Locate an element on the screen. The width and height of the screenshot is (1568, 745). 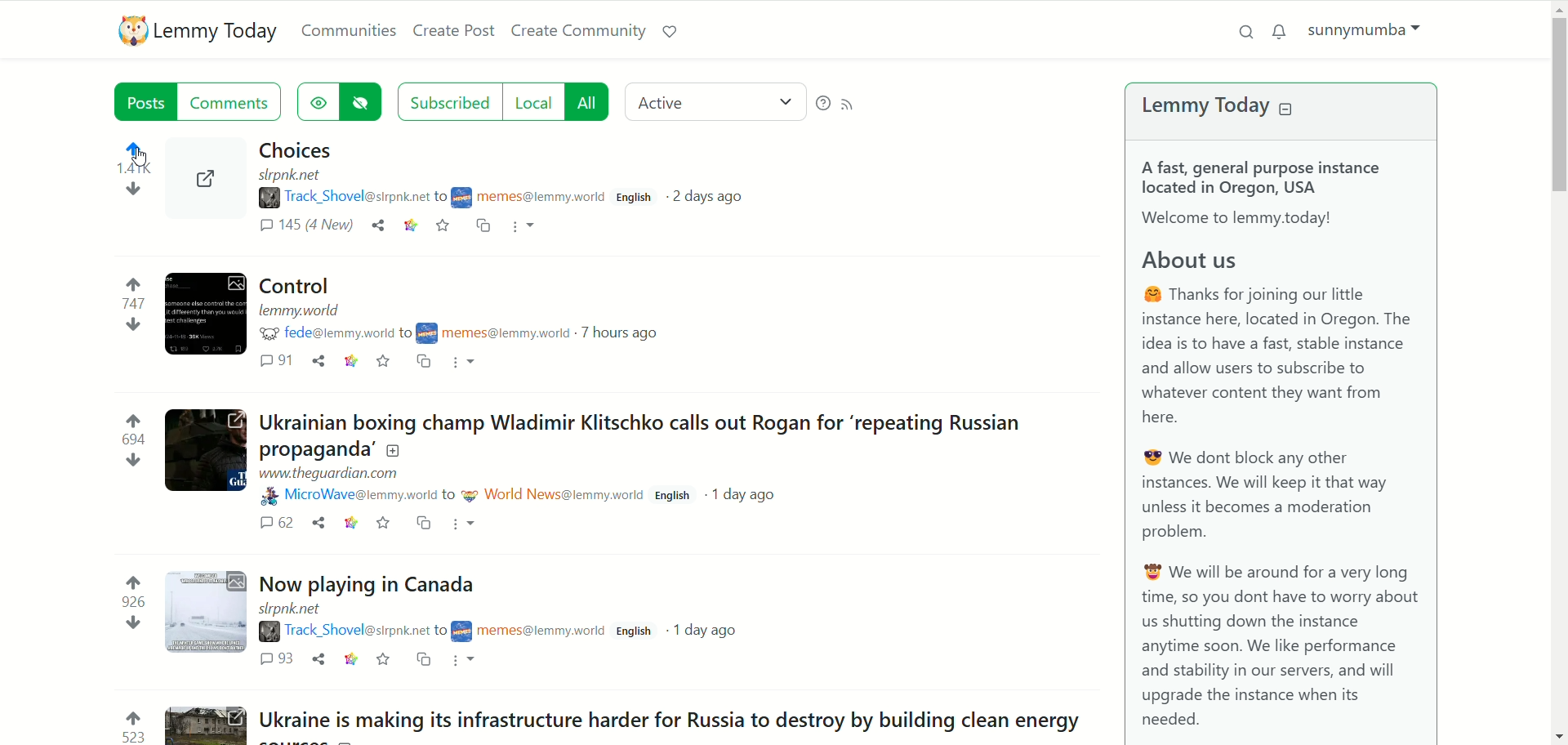
logo is located at coordinates (130, 31).